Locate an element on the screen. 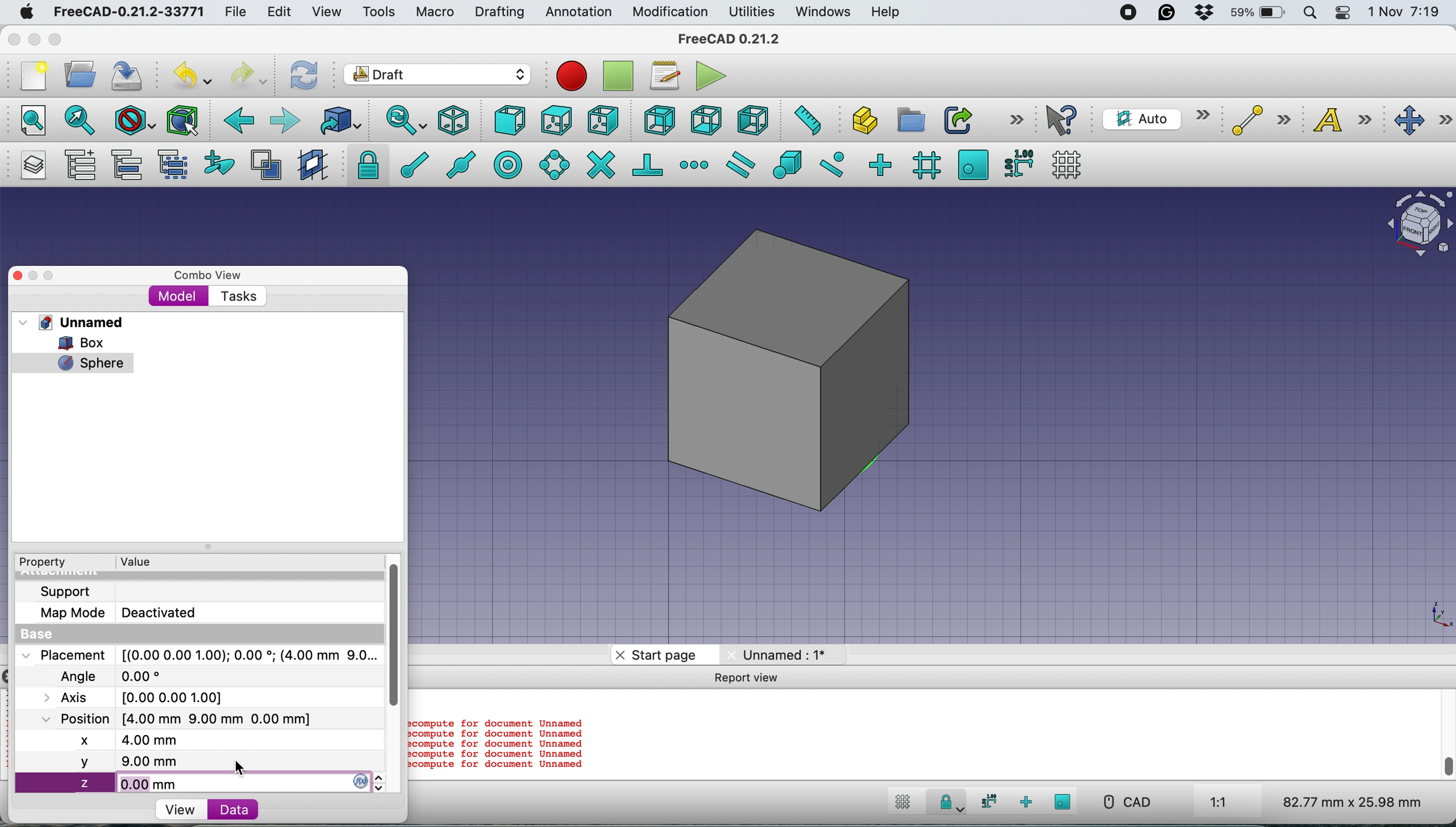 The width and height of the screenshot is (1456, 827). snap ortho is located at coordinates (879, 164).